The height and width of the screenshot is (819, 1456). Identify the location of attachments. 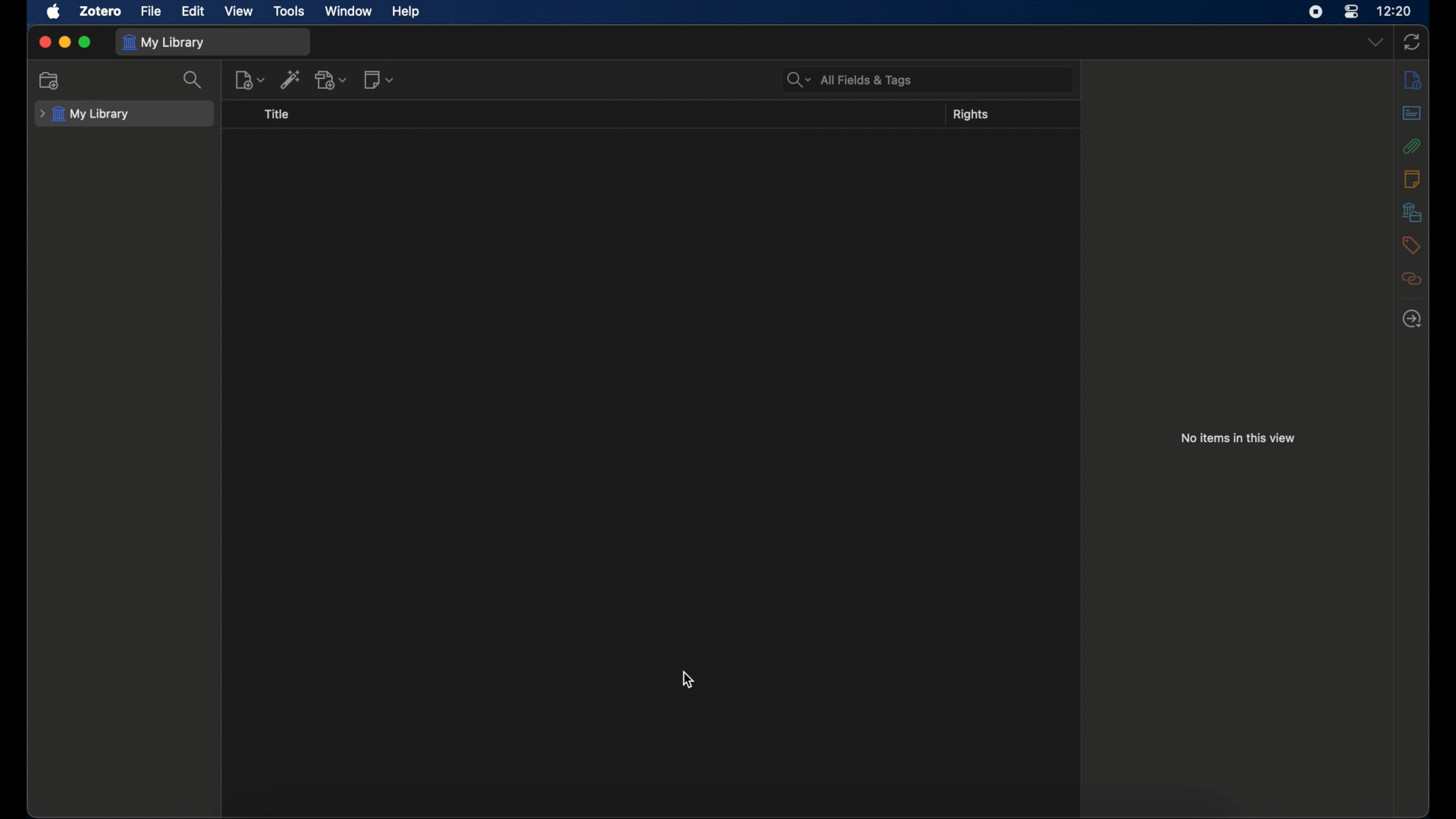
(1410, 146).